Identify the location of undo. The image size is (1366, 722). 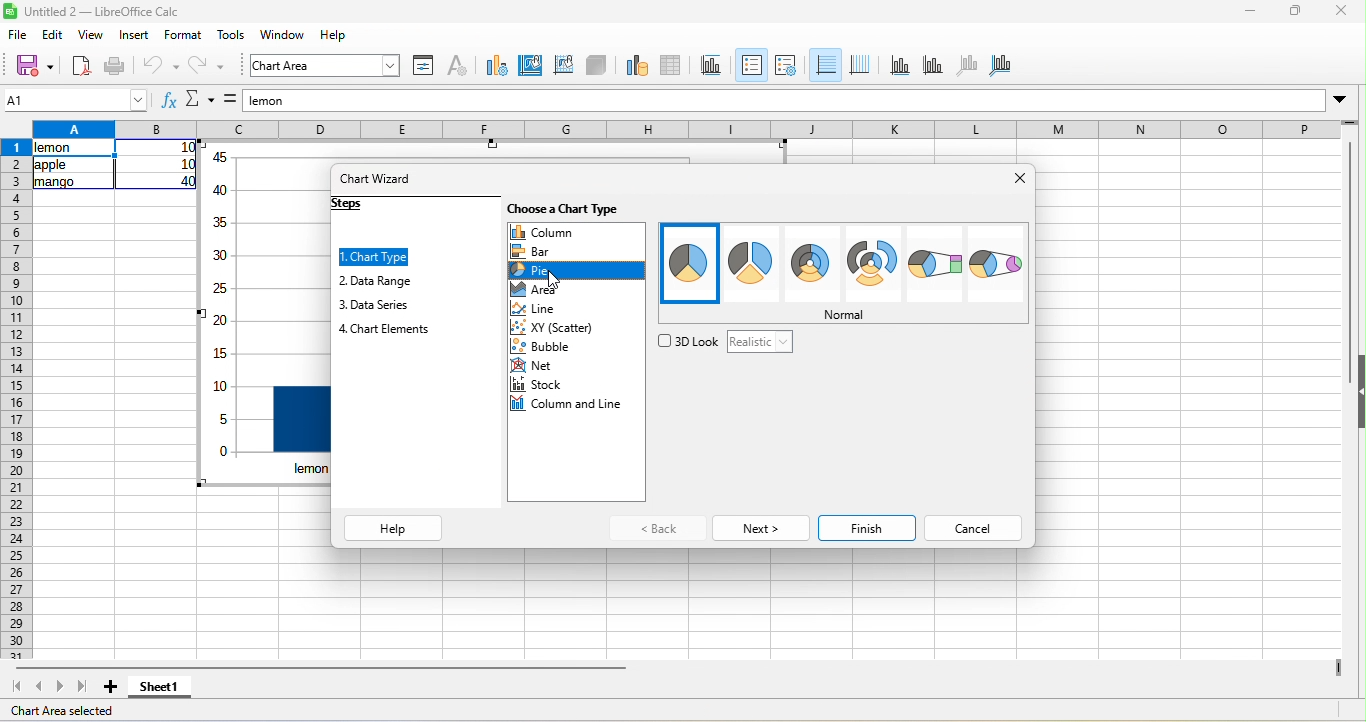
(165, 64).